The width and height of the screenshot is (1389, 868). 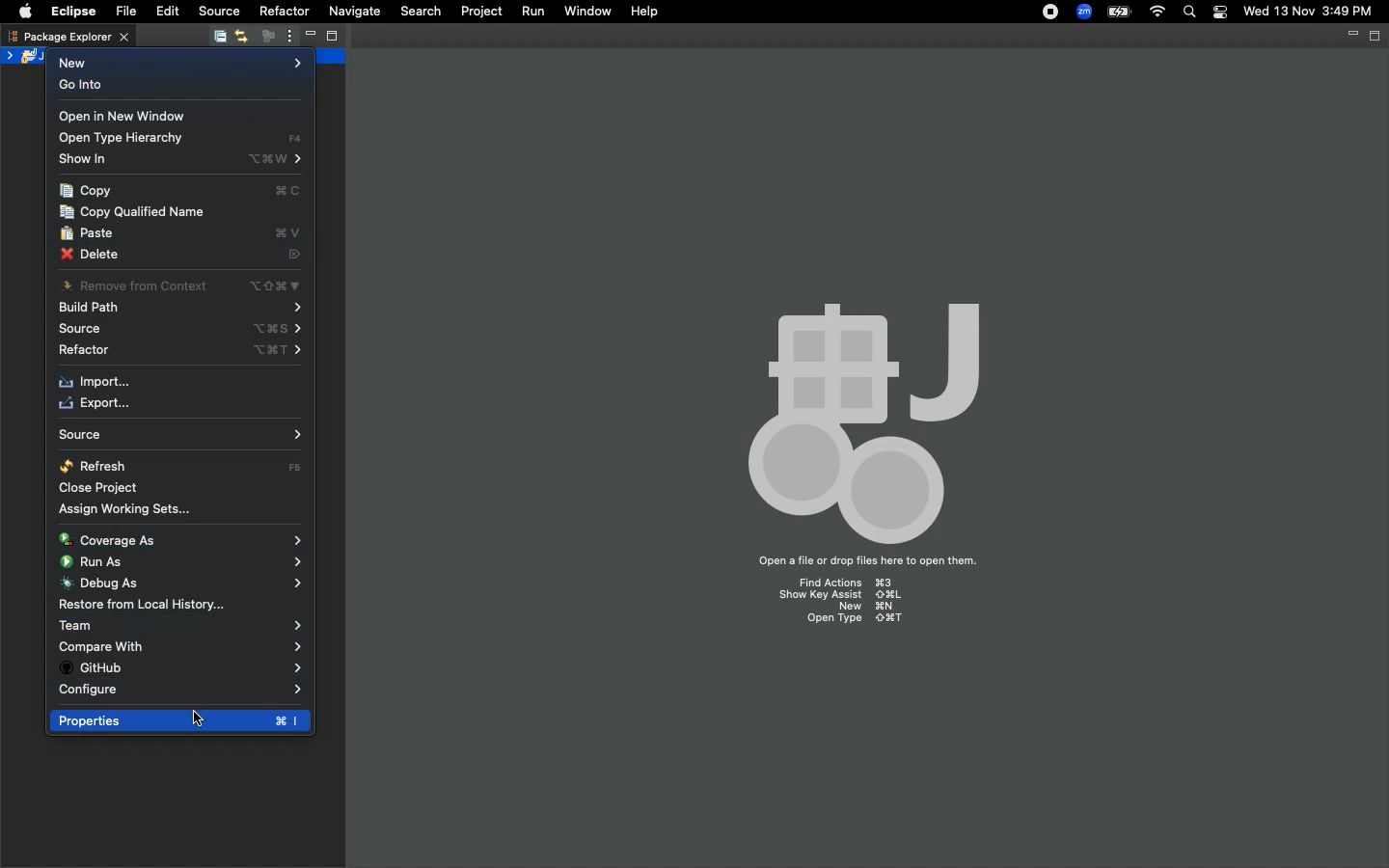 I want to click on Apple logo, so click(x=25, y=12).